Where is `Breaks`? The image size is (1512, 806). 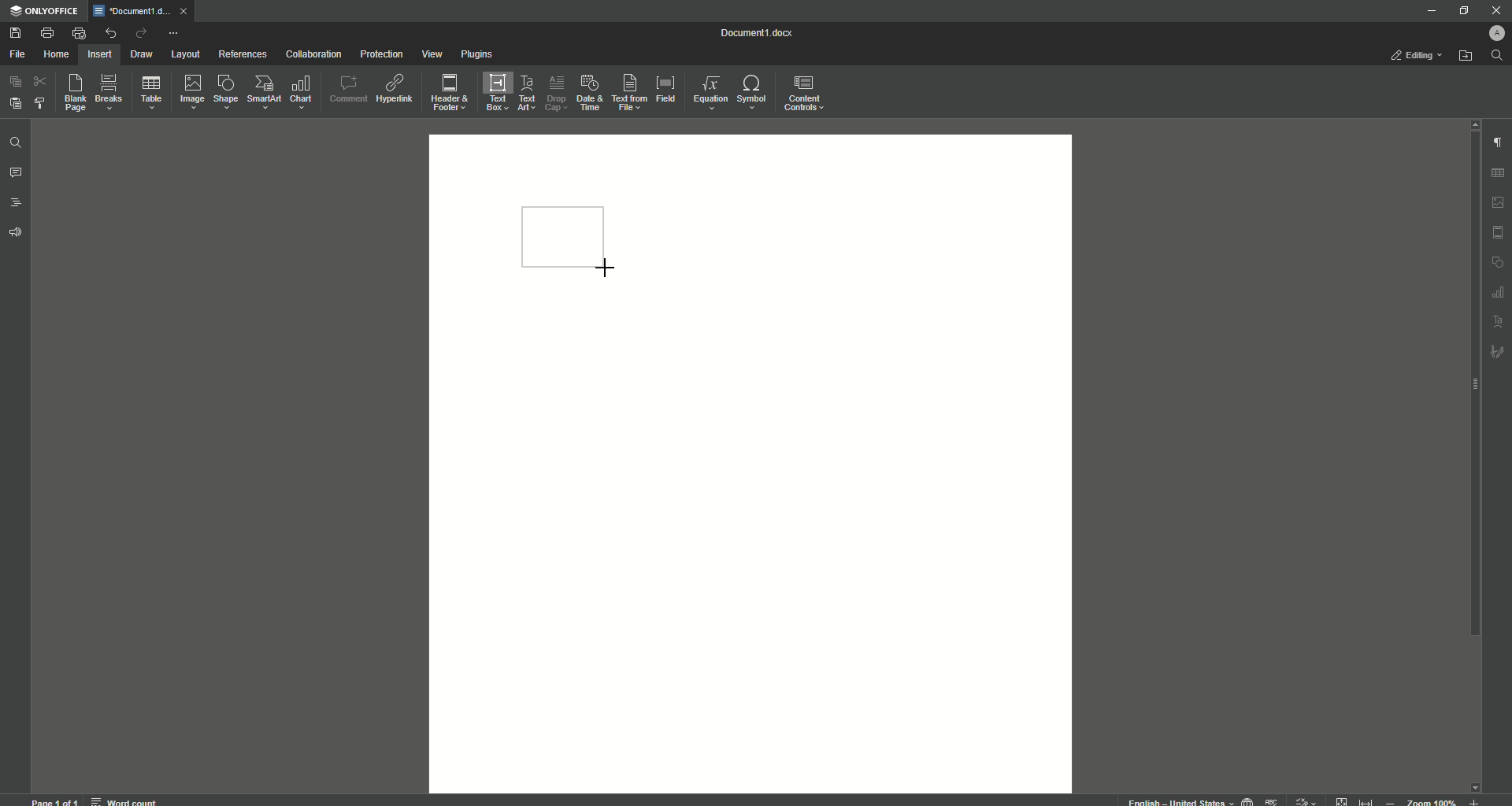
Breaks is located at coordinates (109, 93).